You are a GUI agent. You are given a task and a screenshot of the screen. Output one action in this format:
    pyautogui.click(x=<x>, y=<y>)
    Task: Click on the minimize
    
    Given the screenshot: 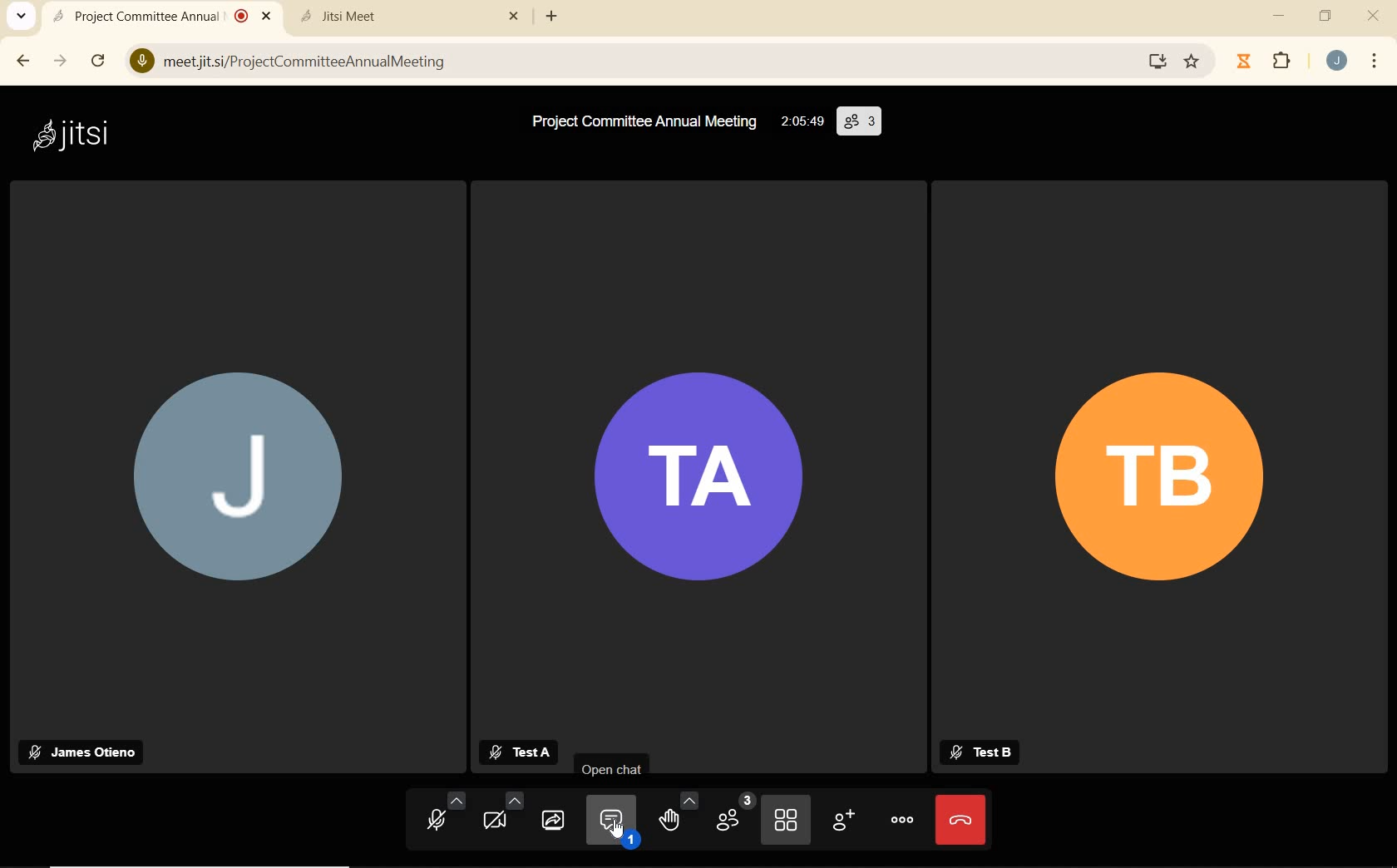 What is the action you would take?
    pyautogui.click(x=1279, y=18)
    